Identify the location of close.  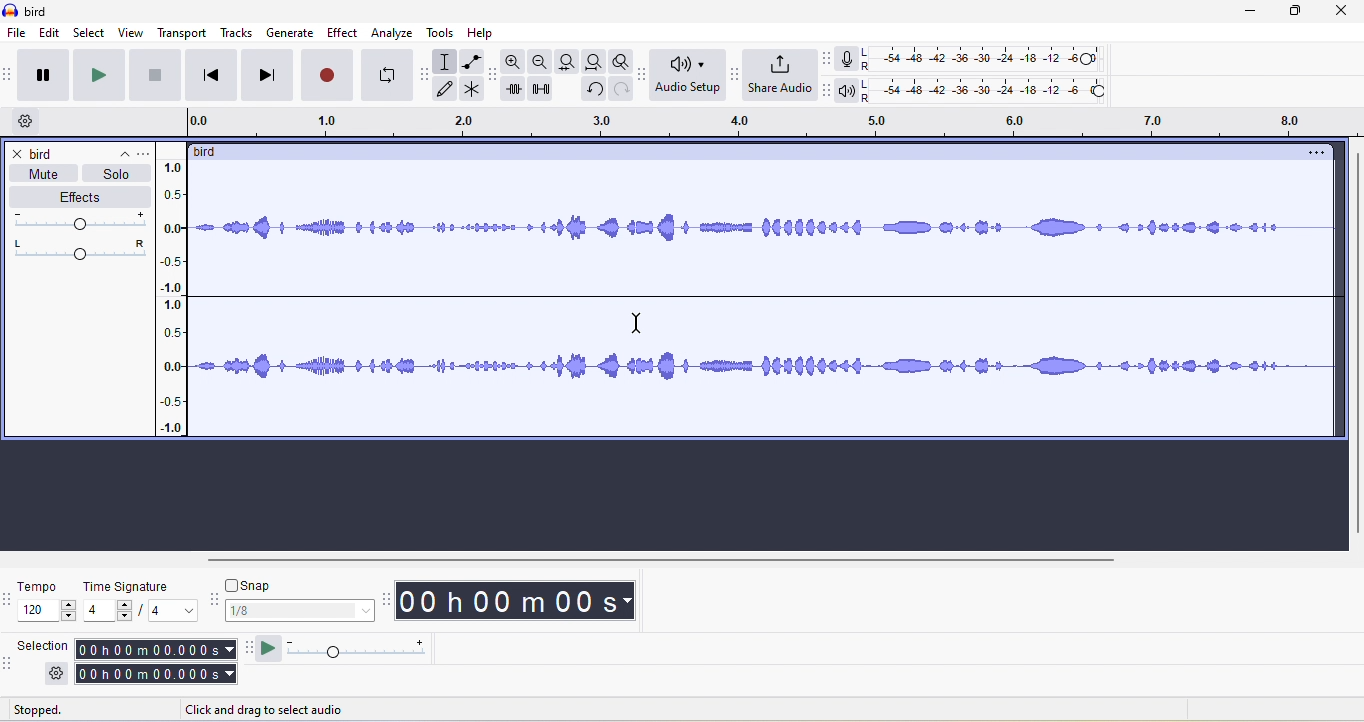
(1347, 14).